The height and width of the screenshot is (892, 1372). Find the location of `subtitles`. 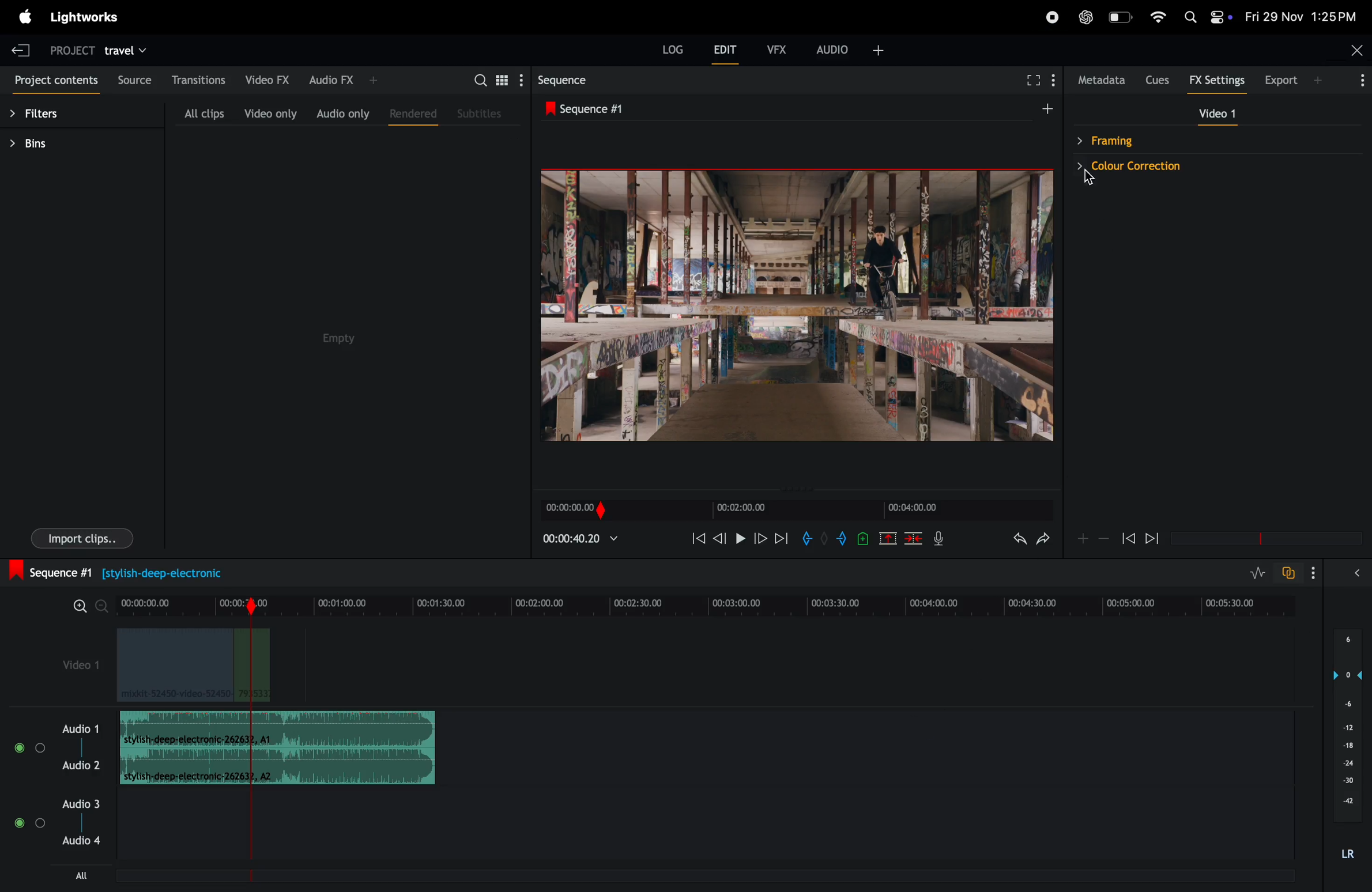

subtitles is located at coordinates (481, 112).